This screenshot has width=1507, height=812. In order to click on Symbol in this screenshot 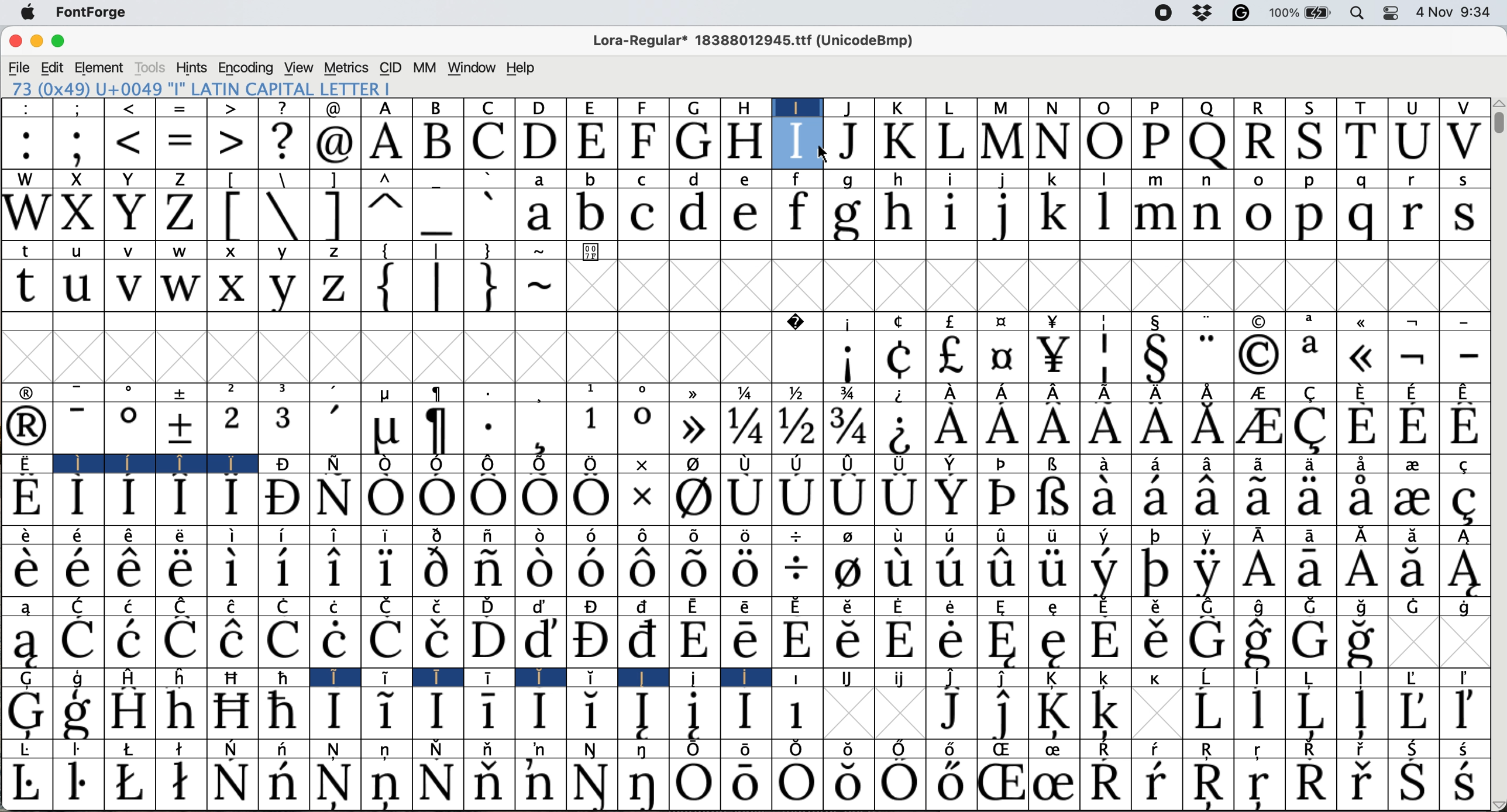, I will do `click(181, 785)`.